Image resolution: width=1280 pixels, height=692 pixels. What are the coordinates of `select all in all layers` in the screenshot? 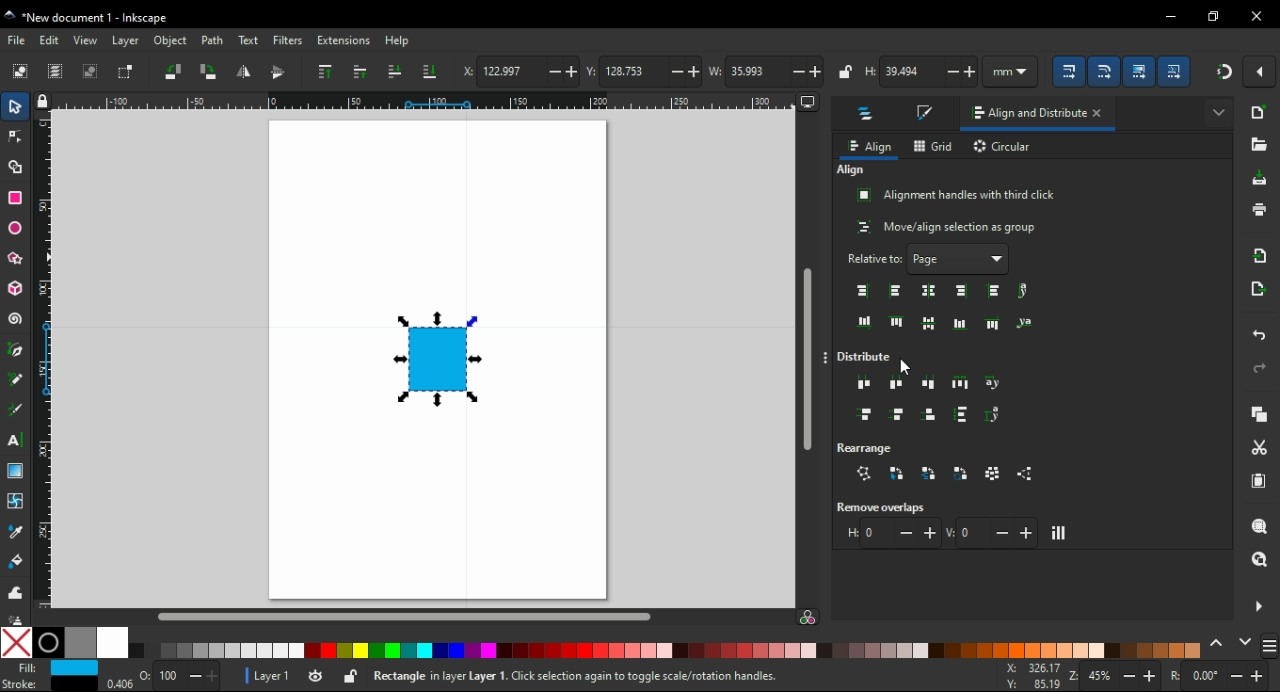 It's located at (56, 71).